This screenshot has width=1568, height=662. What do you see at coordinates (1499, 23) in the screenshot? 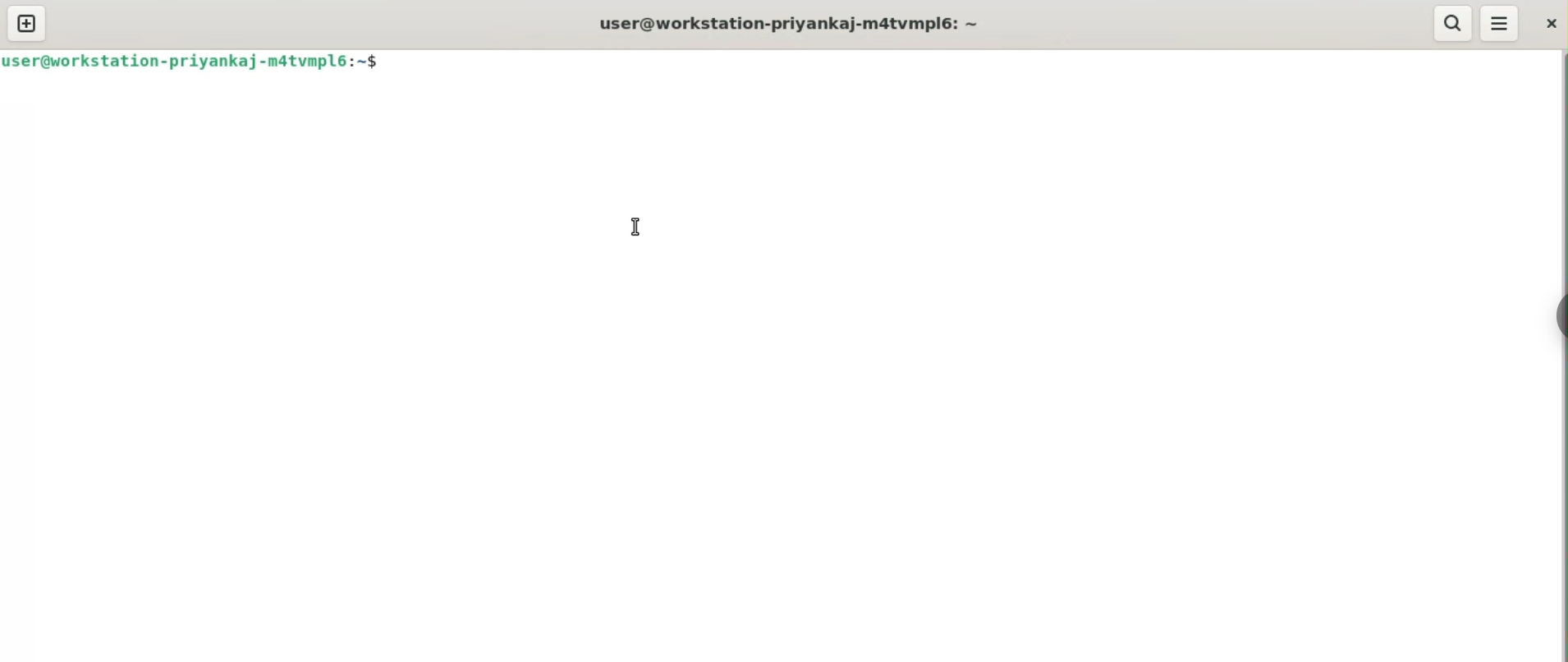
I see `menu` at bounding box center [1499, 23].